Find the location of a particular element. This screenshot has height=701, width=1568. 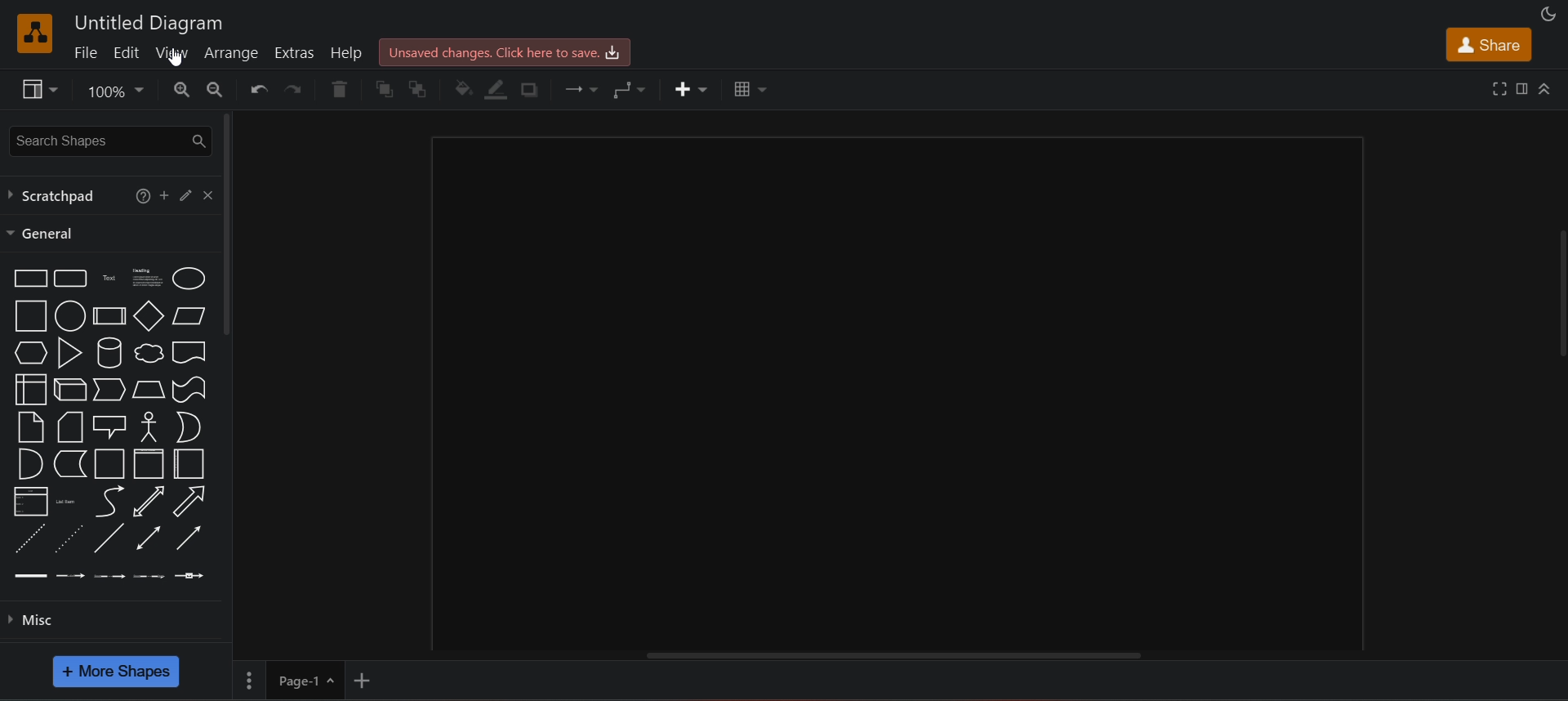

dashed linr is located at coordinates (30, 539).